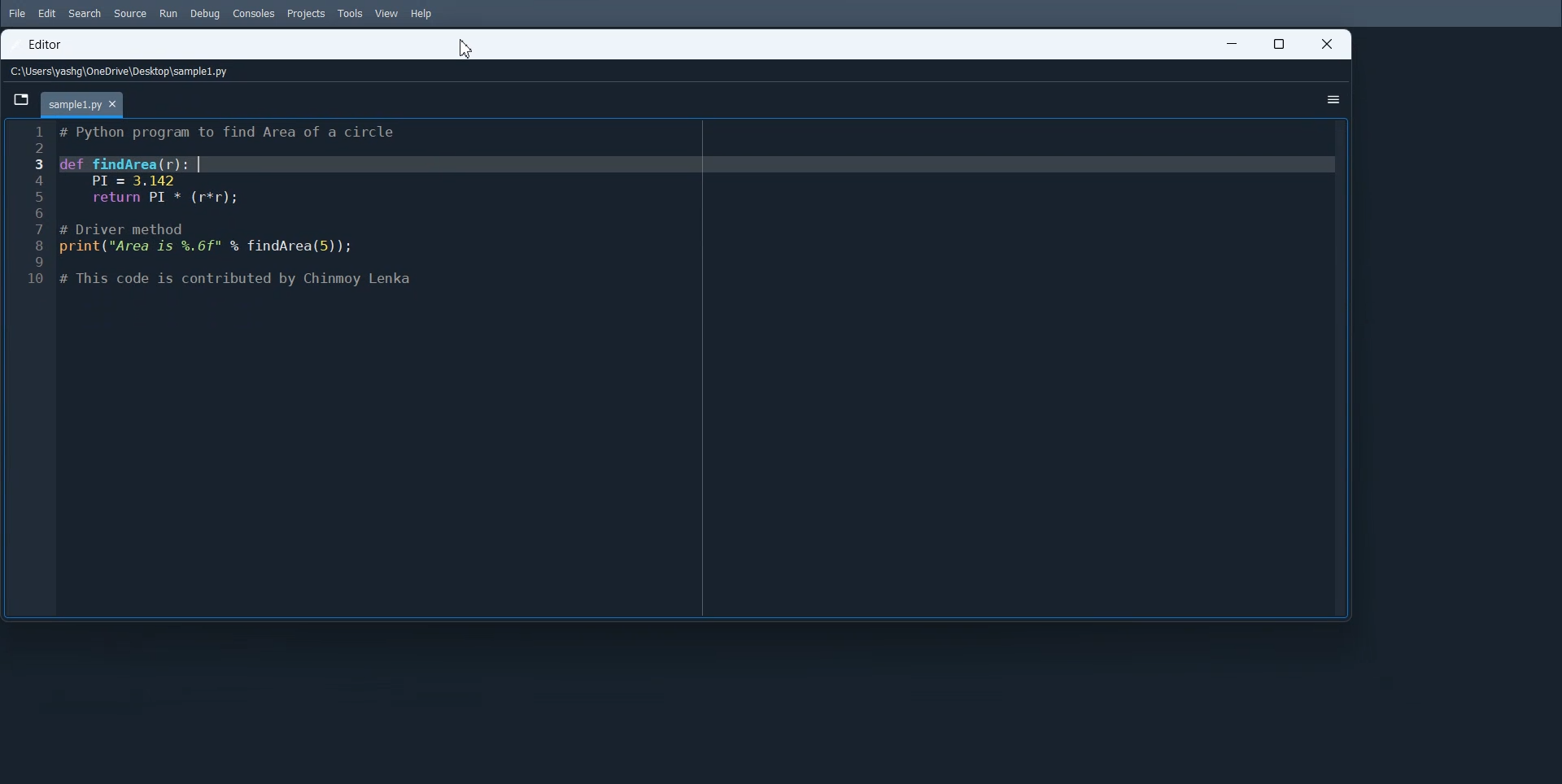 This screenshot has height=784, width=1562. I want to click on Options, so click(1329, 100).